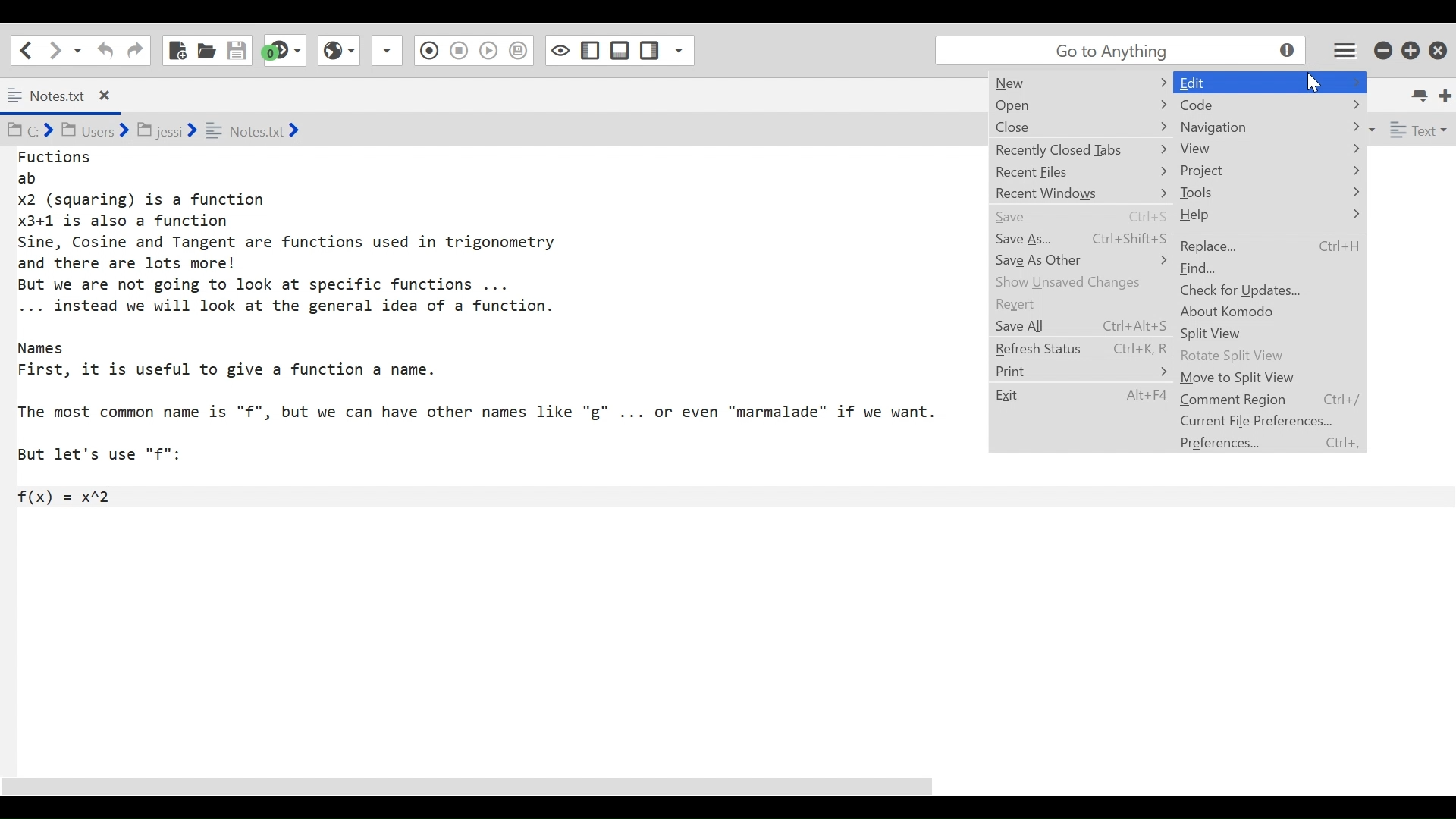 The width and height of the screenshot is (1456, 819). I want to click on view, so click(1248, 151).